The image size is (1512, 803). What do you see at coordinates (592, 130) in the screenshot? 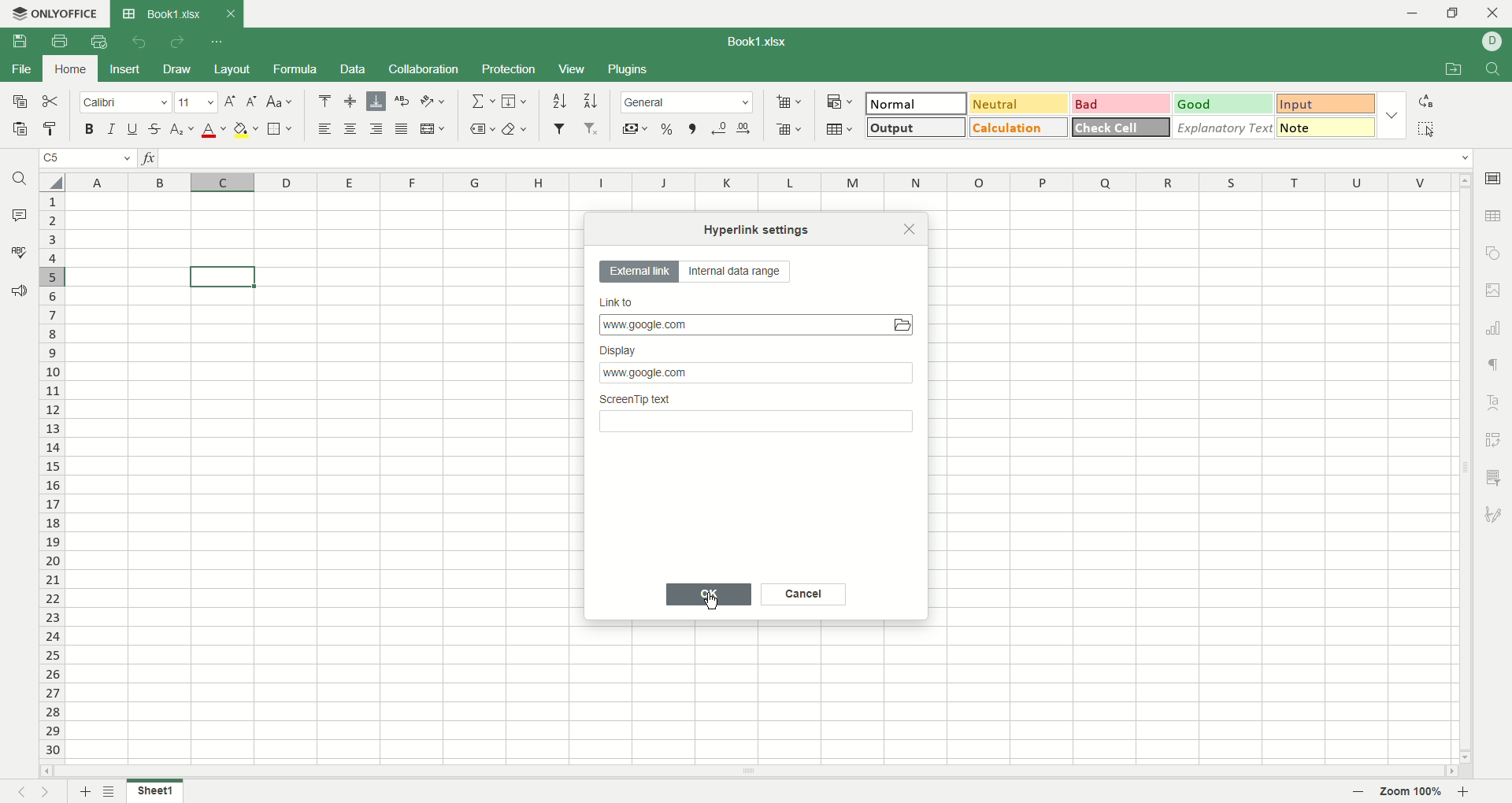
I see `remove filter` at bounding box center [592, 130].